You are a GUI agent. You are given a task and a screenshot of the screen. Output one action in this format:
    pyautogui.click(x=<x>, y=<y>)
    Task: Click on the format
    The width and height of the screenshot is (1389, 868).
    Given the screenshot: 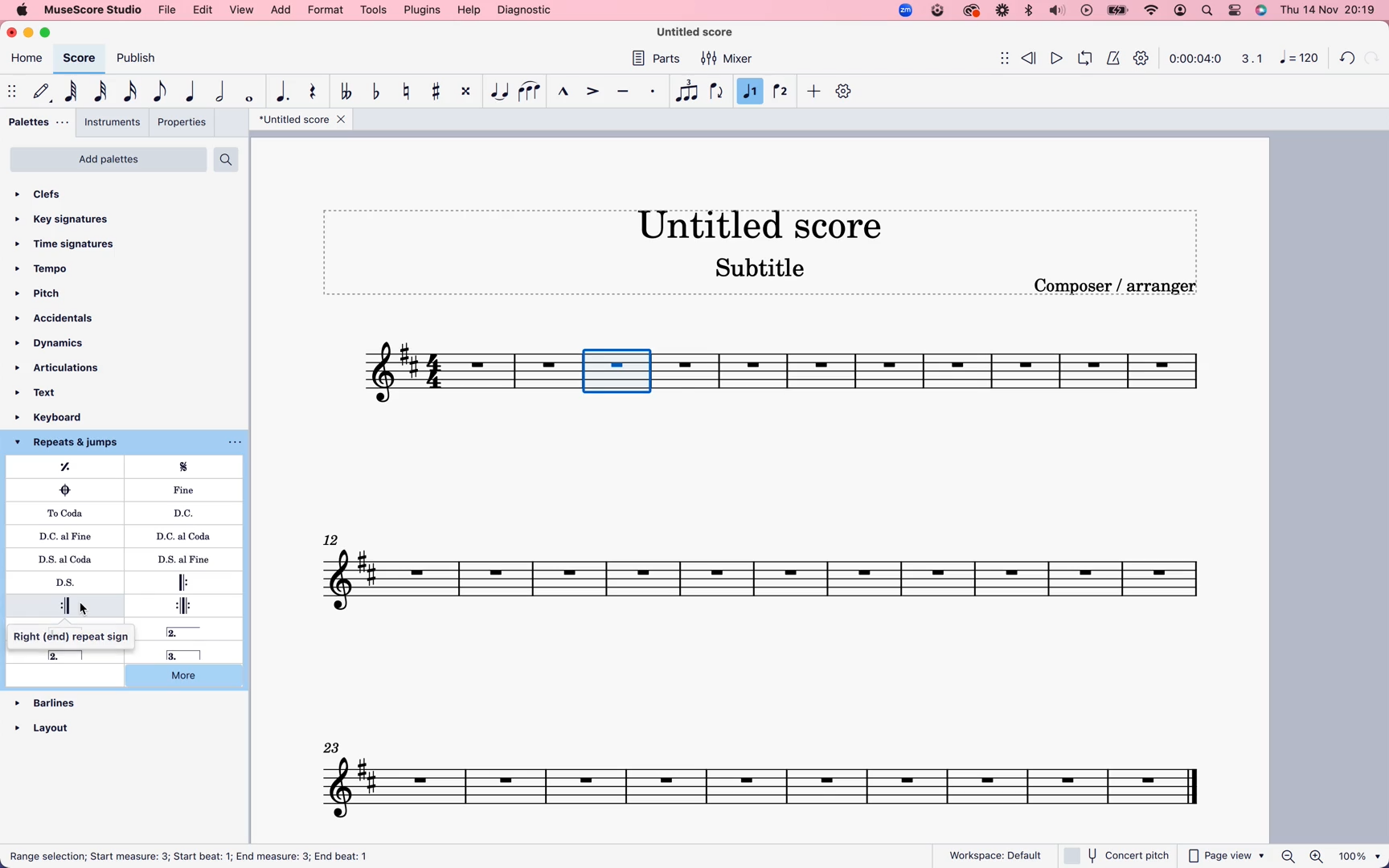 What is the action you would take?
    pyautogui.click(x=325, y=10)
    